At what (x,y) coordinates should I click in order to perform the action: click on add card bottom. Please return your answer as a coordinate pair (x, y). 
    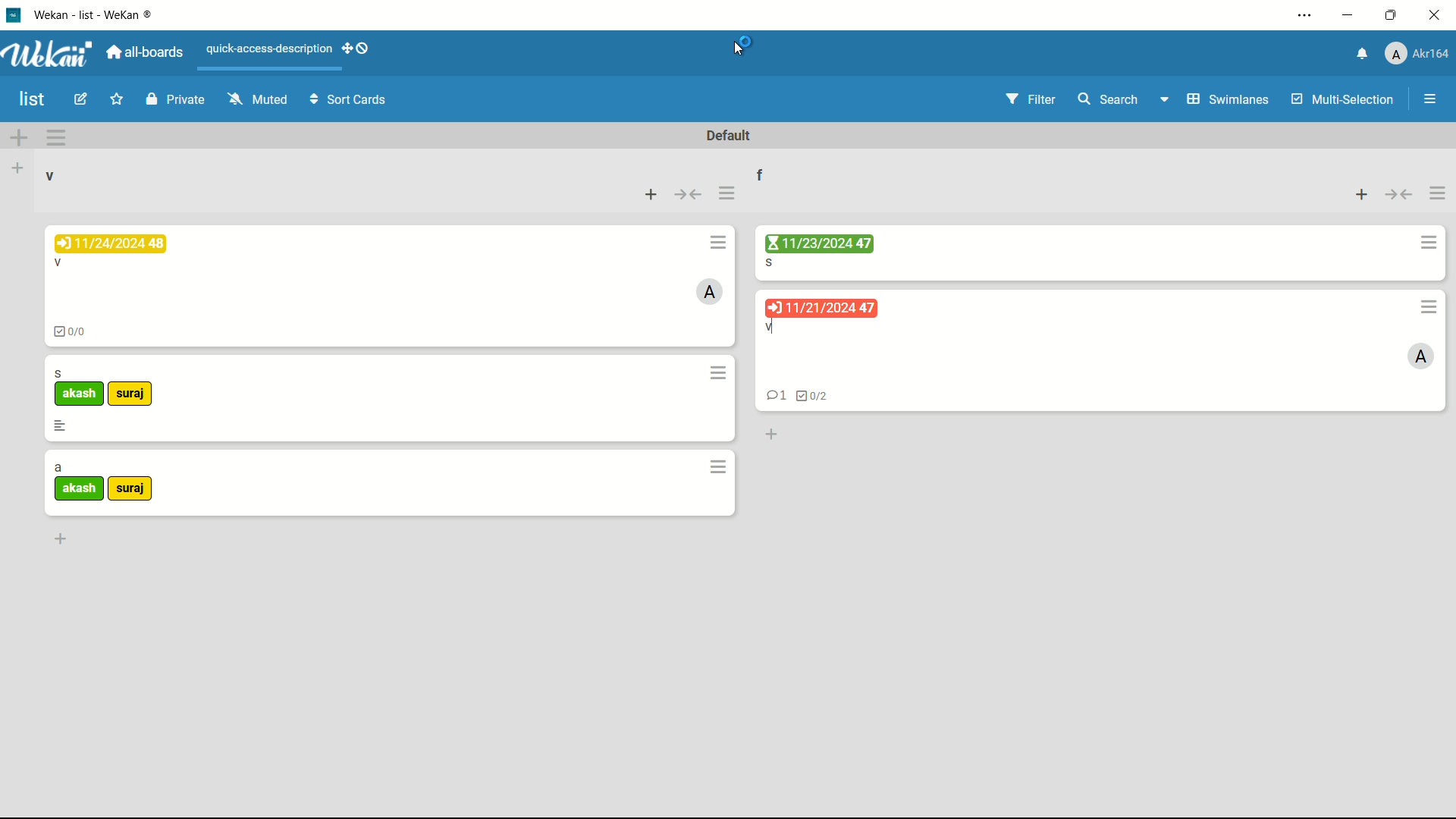
    Looking at the image, I should click on (770, 434).